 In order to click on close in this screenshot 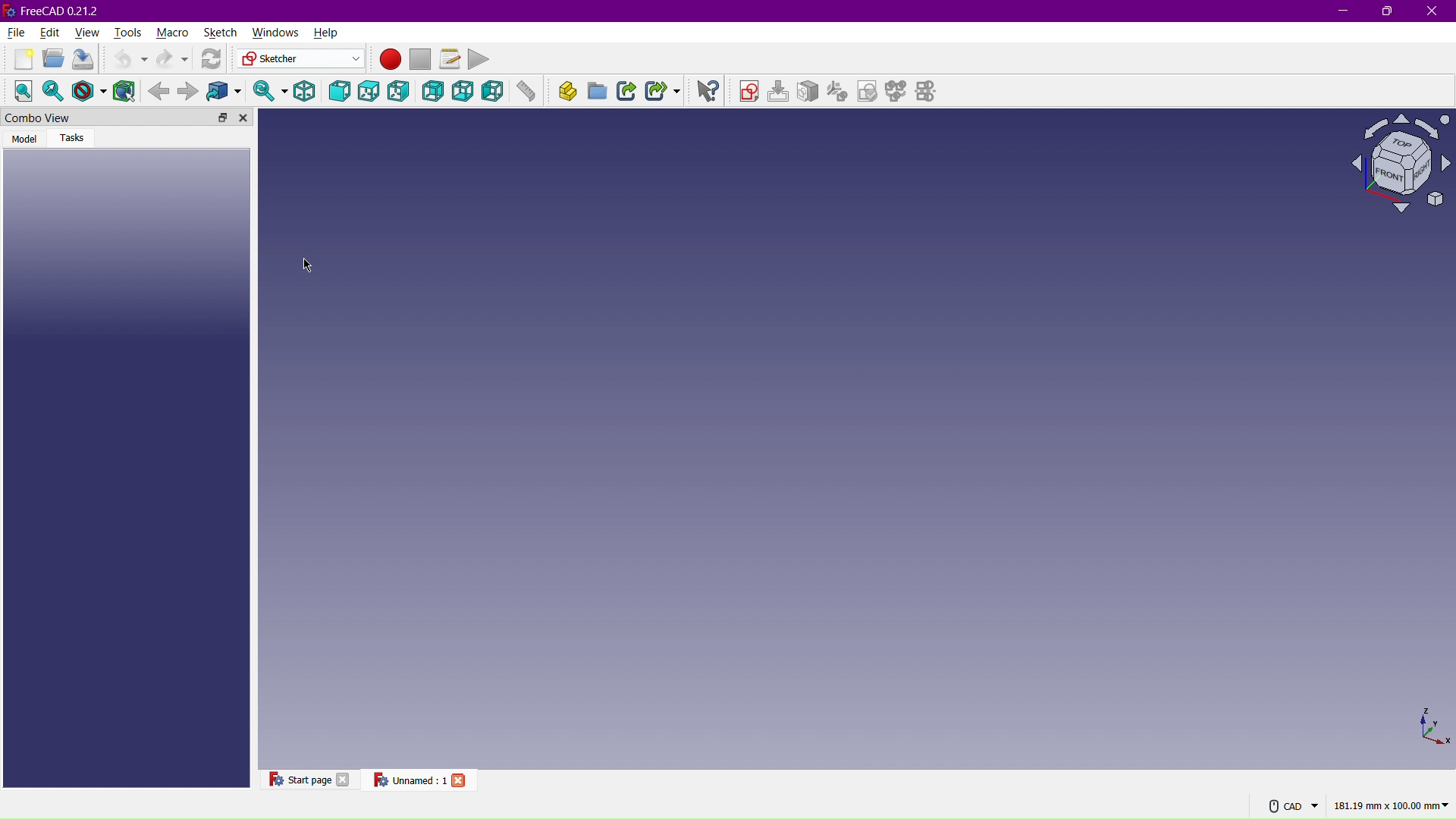, I will do `click(243, 118)`.